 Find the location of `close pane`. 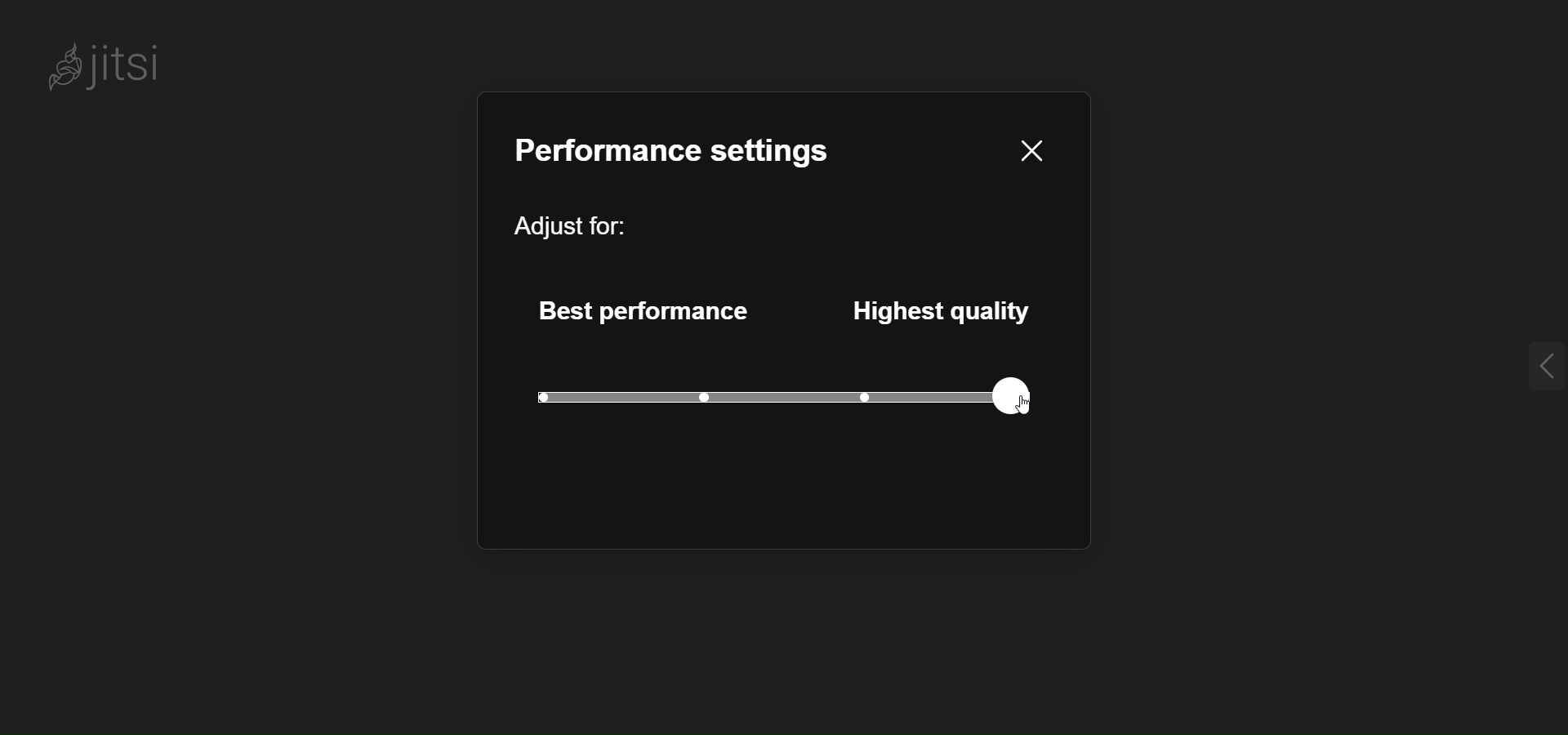

close pane is located at coordinates (1037, 148).